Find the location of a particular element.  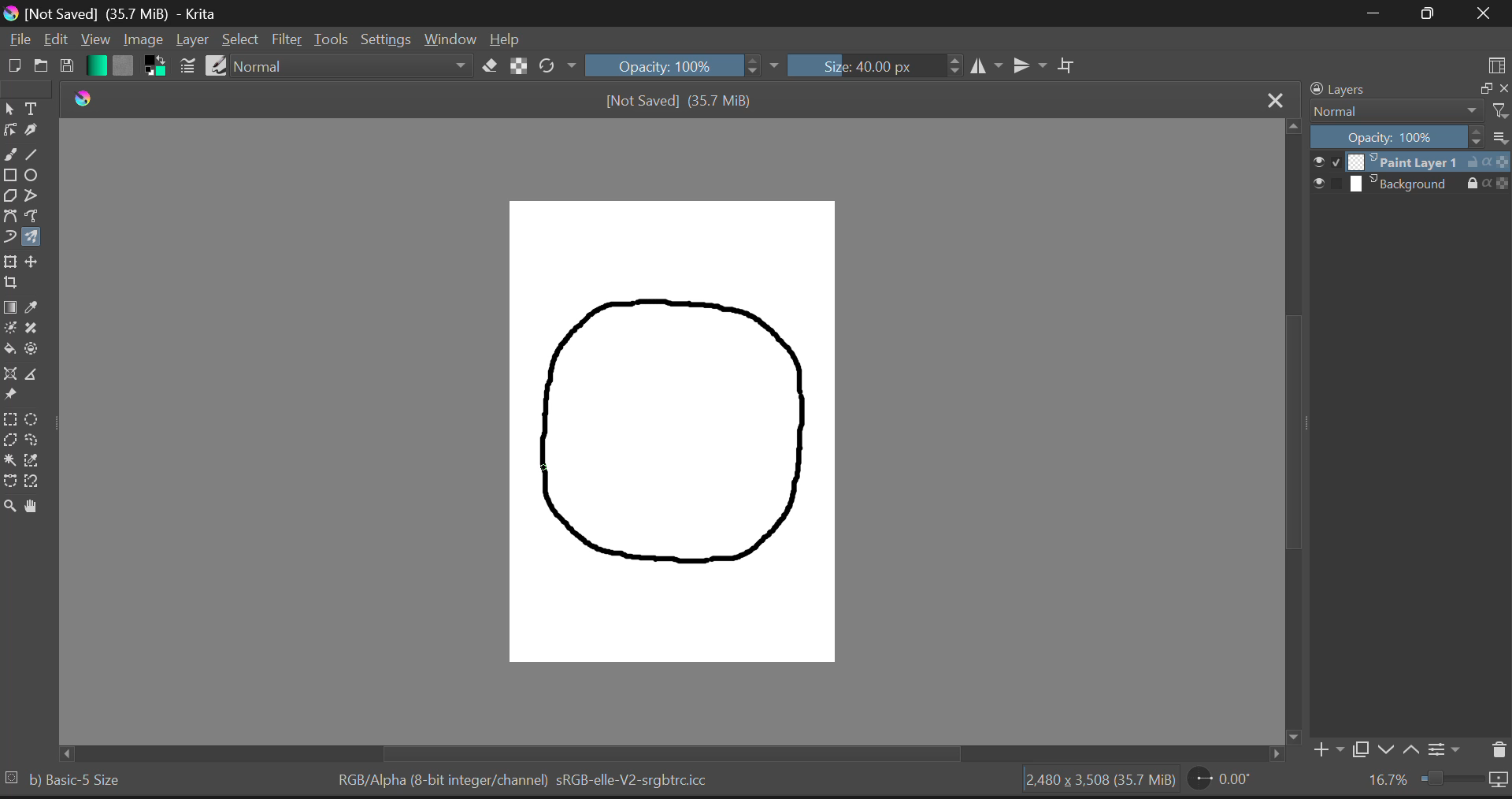

Crop Layer is located at coordinates (11, 282).